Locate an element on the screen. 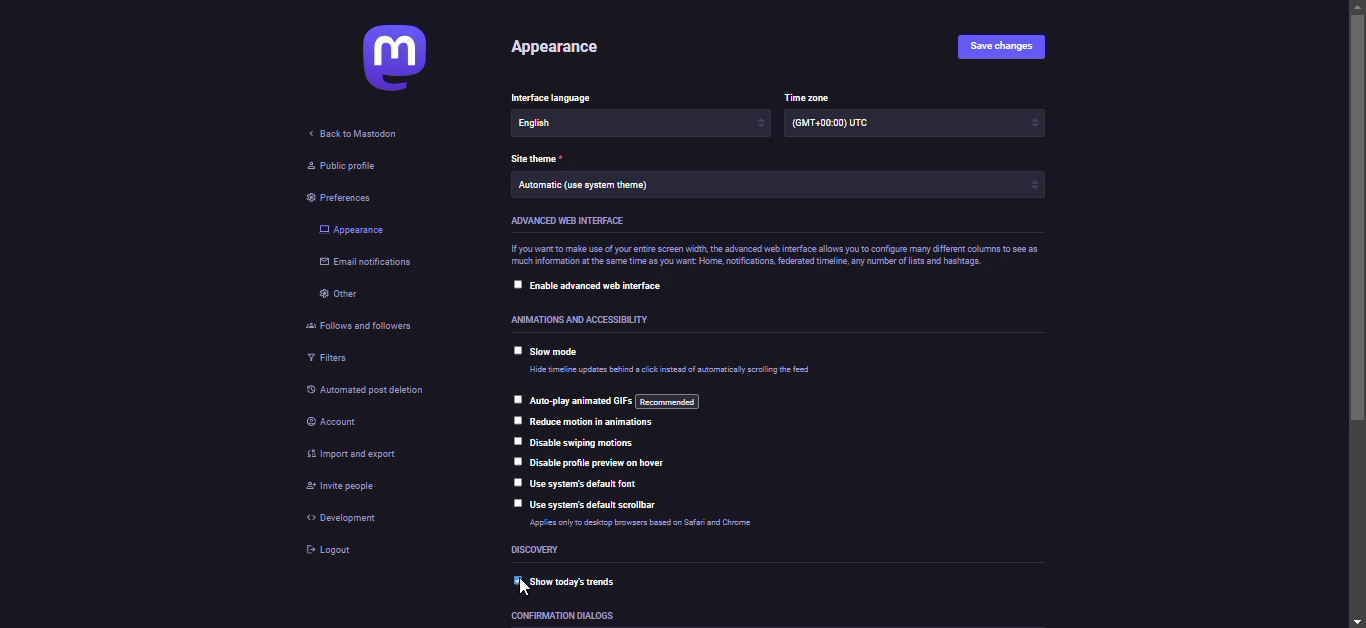 Image resolution: width=1366 pixels, height=628 pixels. appearance is located at coordinates (352, 230).